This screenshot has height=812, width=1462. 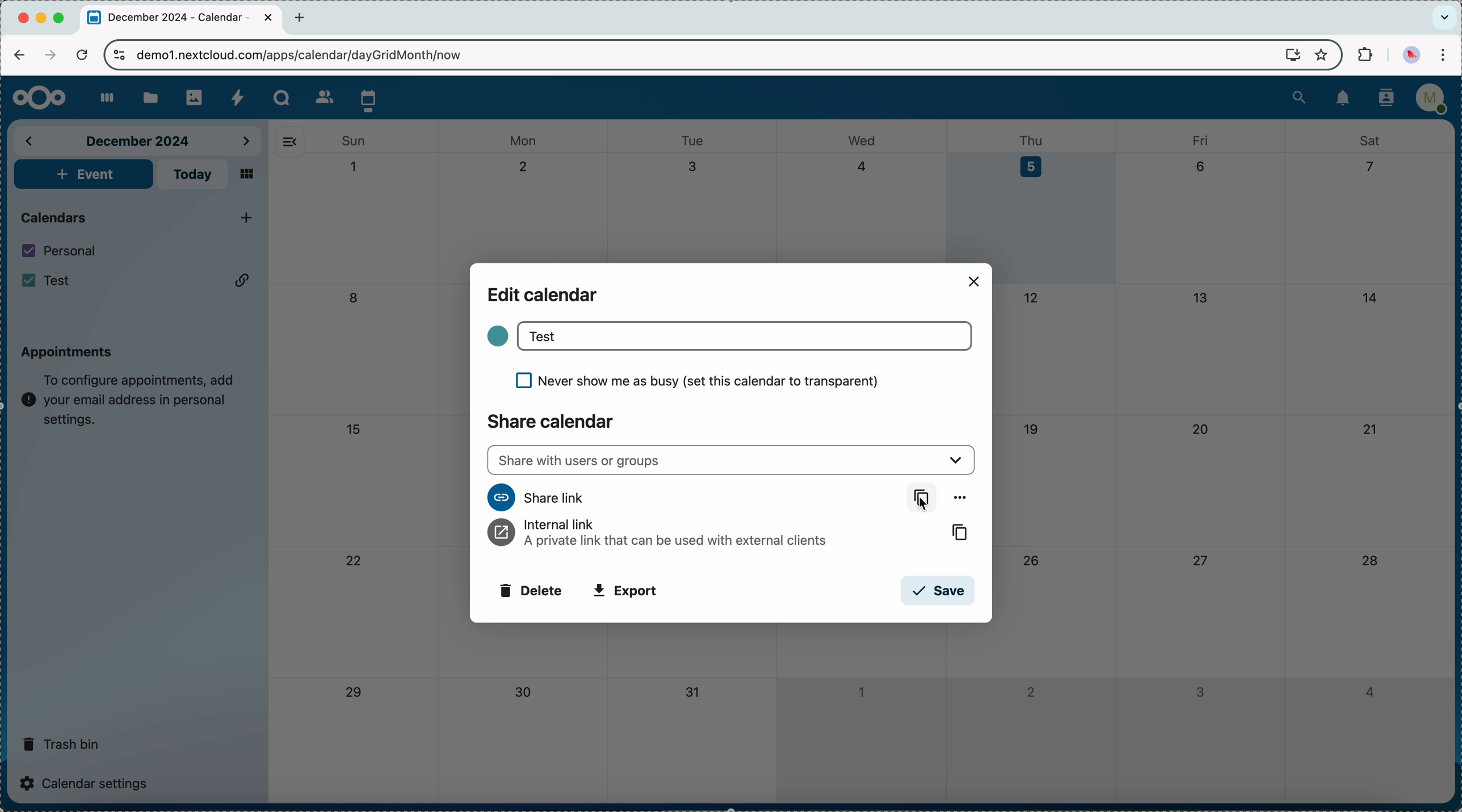 What do you see at coordinates (550, 420) in the screenshot?
I see `share calendar` at bounding box center [550, 420].